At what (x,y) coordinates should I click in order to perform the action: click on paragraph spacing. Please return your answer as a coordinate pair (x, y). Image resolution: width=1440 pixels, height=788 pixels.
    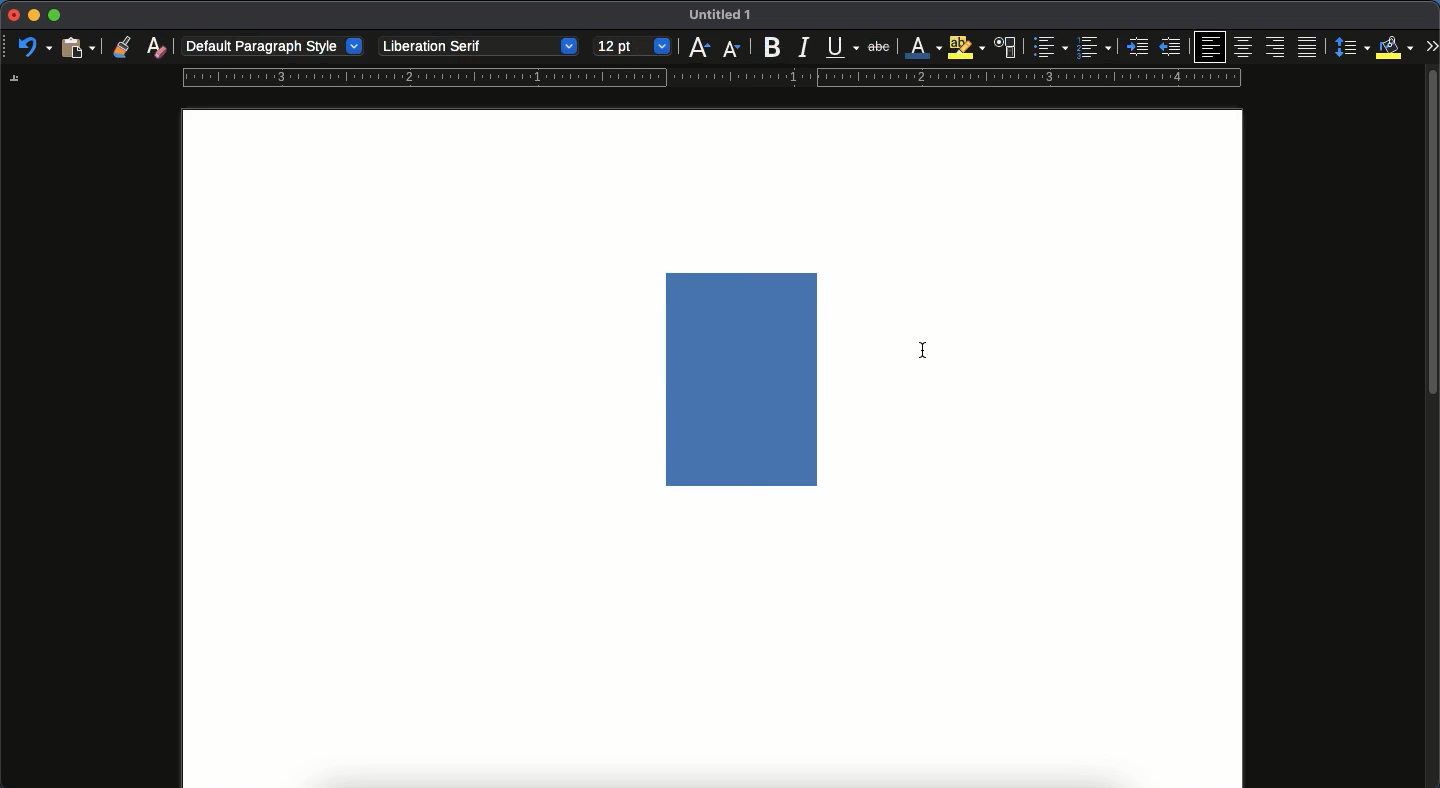
    Looking at the image, I should click on (1354, 49).